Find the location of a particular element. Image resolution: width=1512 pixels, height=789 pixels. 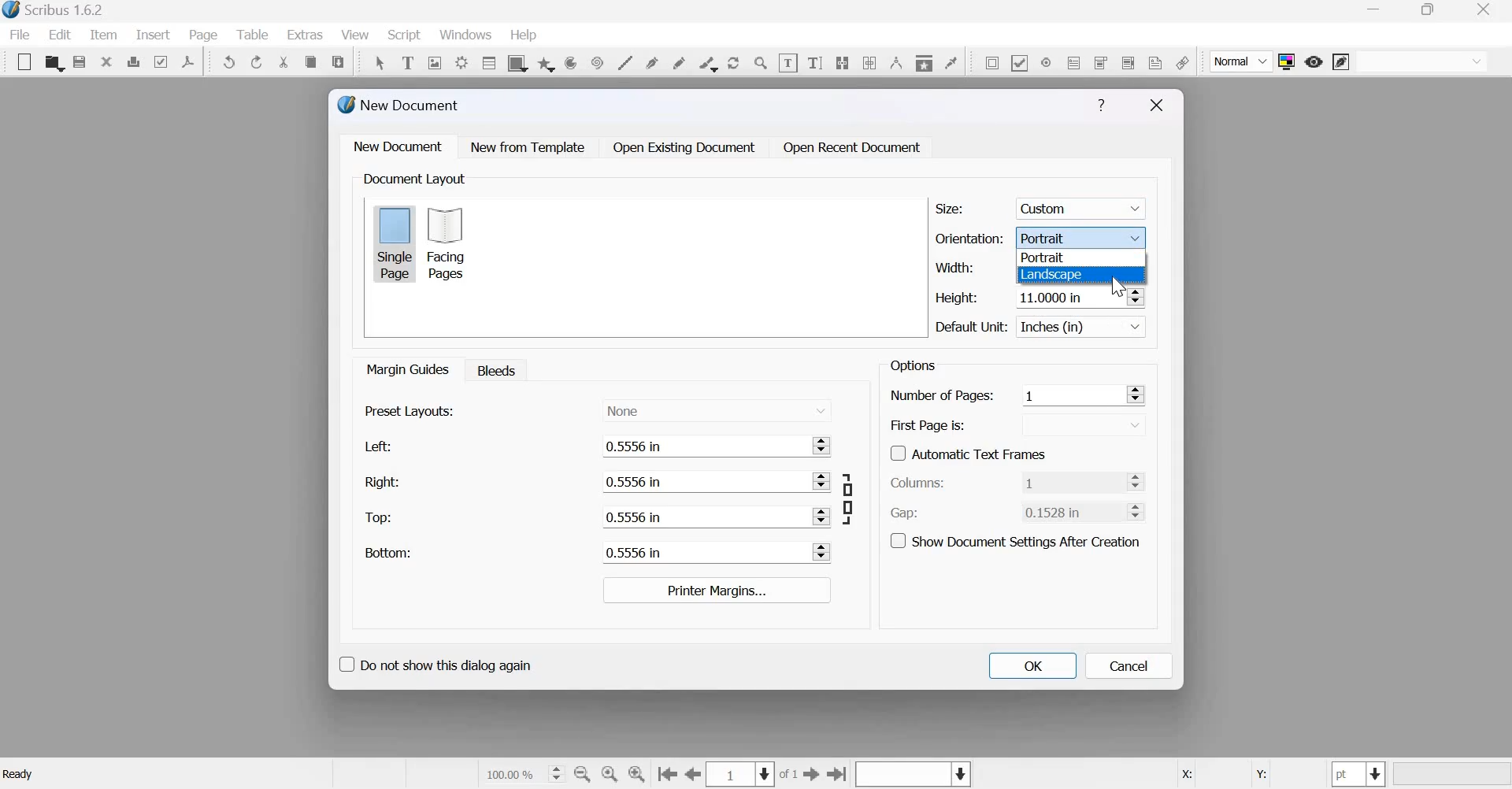

windows is located at coordinates (465, 36).